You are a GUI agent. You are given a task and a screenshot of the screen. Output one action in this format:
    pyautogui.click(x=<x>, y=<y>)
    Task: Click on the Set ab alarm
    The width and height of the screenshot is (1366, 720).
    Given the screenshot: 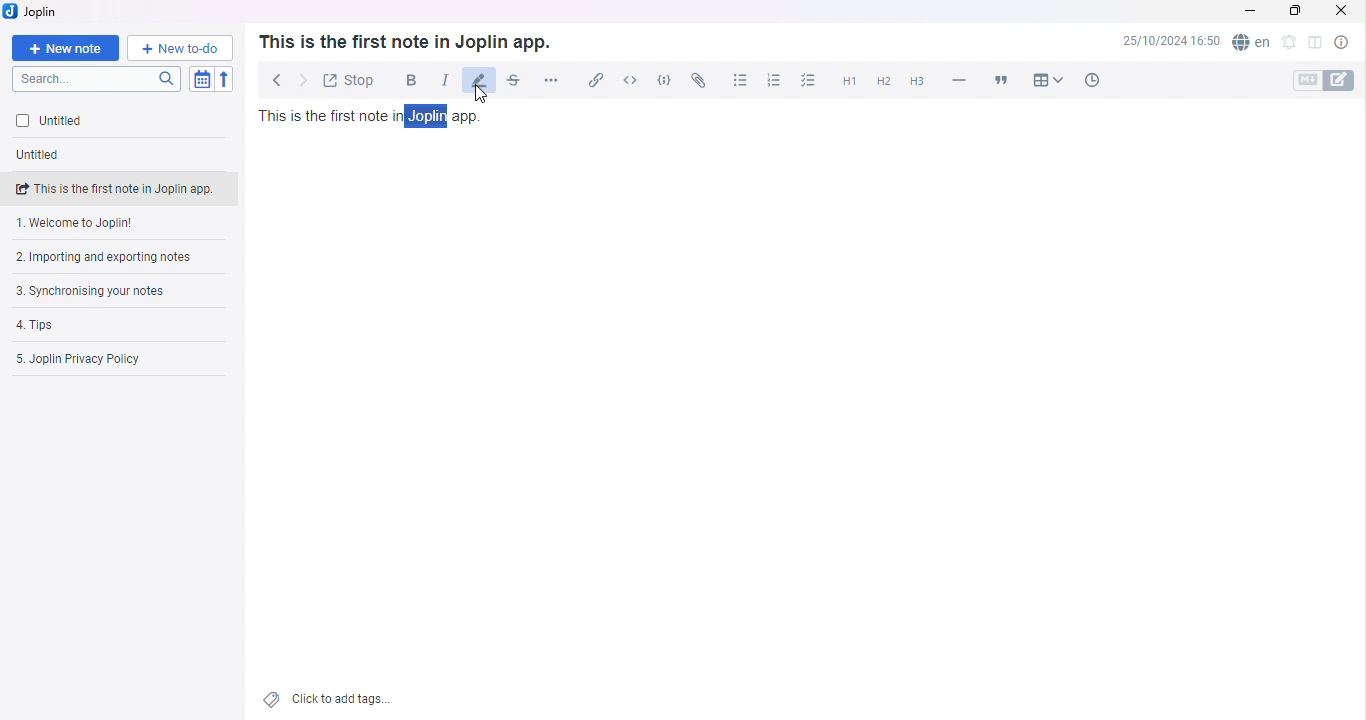 What is the action you would take?
    pyautogui.click(x=1288, y=44)
    